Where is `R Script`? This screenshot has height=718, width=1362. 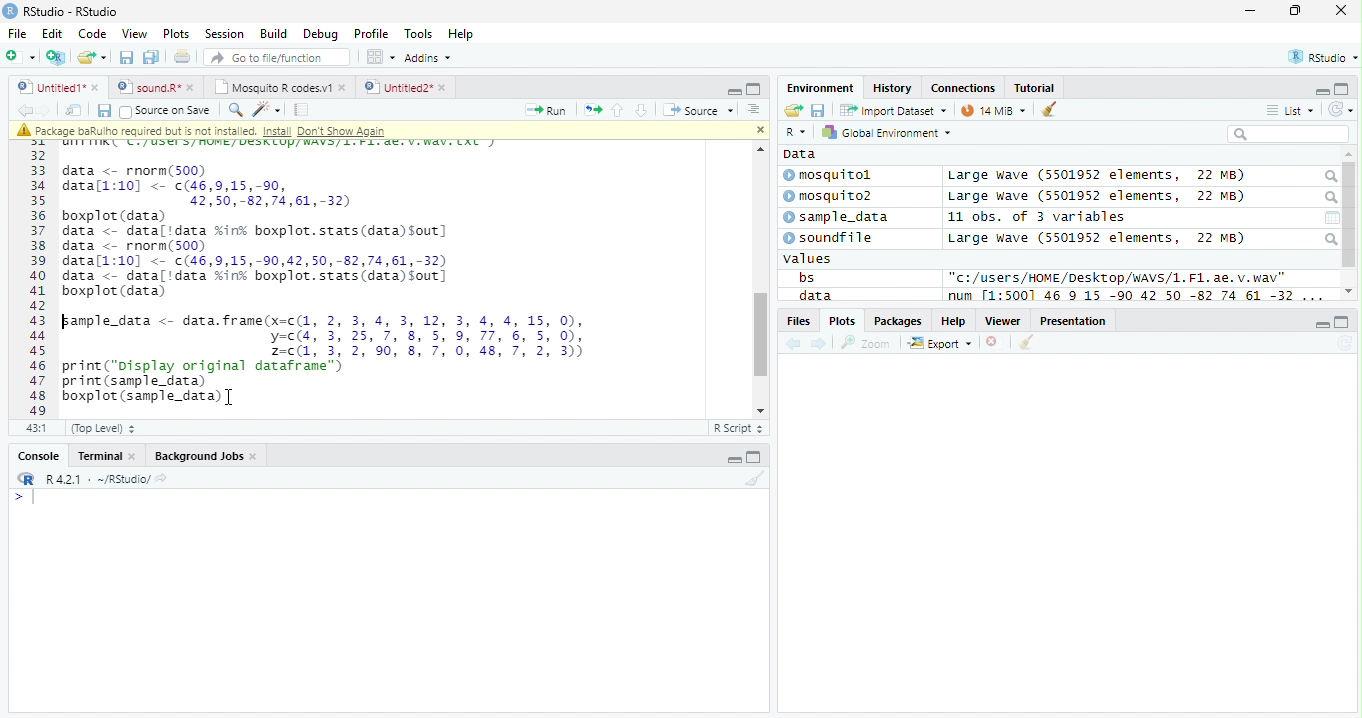 R Script is located at coordinates (739, 427).